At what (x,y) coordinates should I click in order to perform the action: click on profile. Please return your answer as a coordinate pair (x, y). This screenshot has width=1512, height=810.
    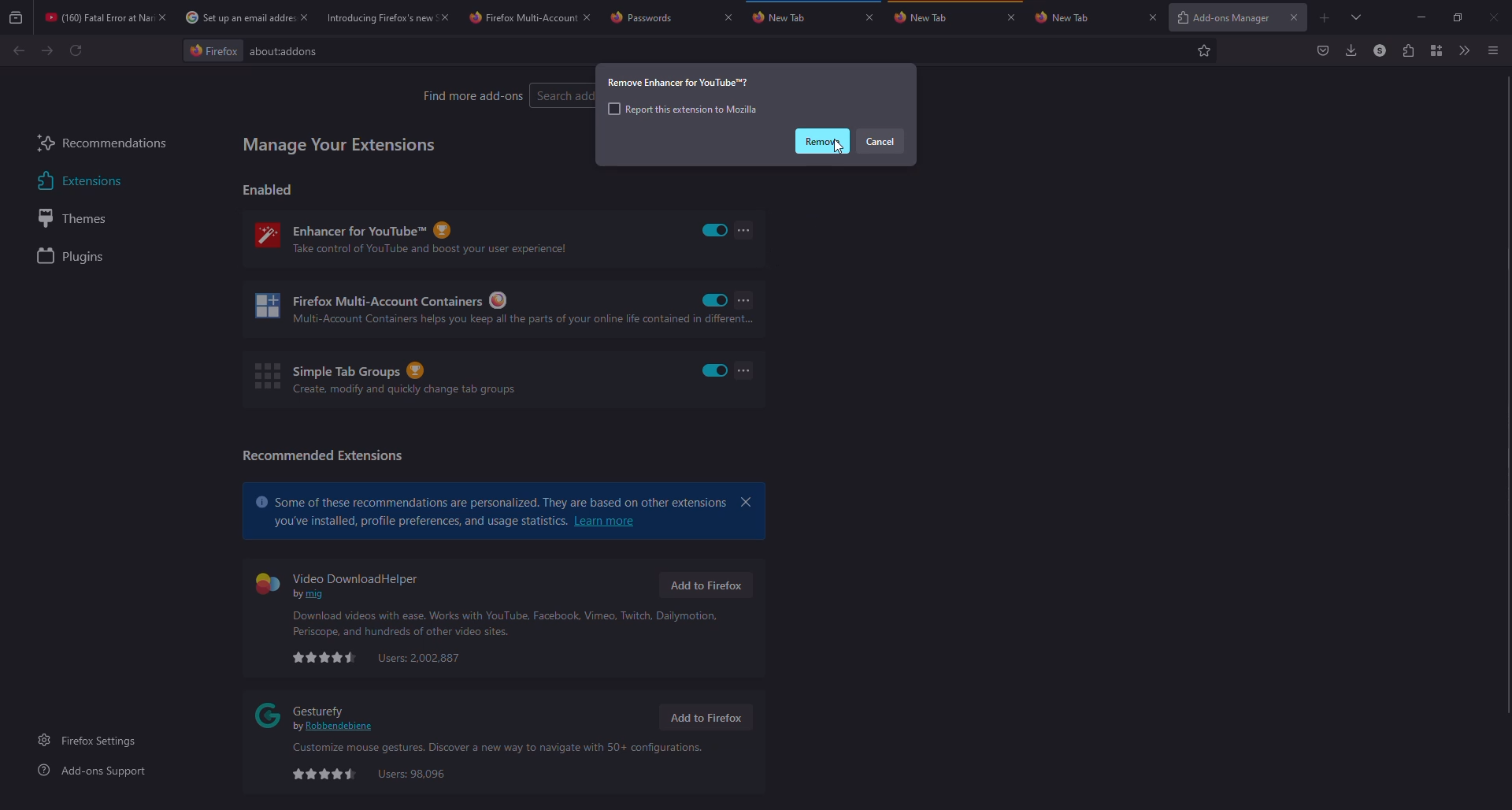
    Looking at the image, I should click on (1380, 50).